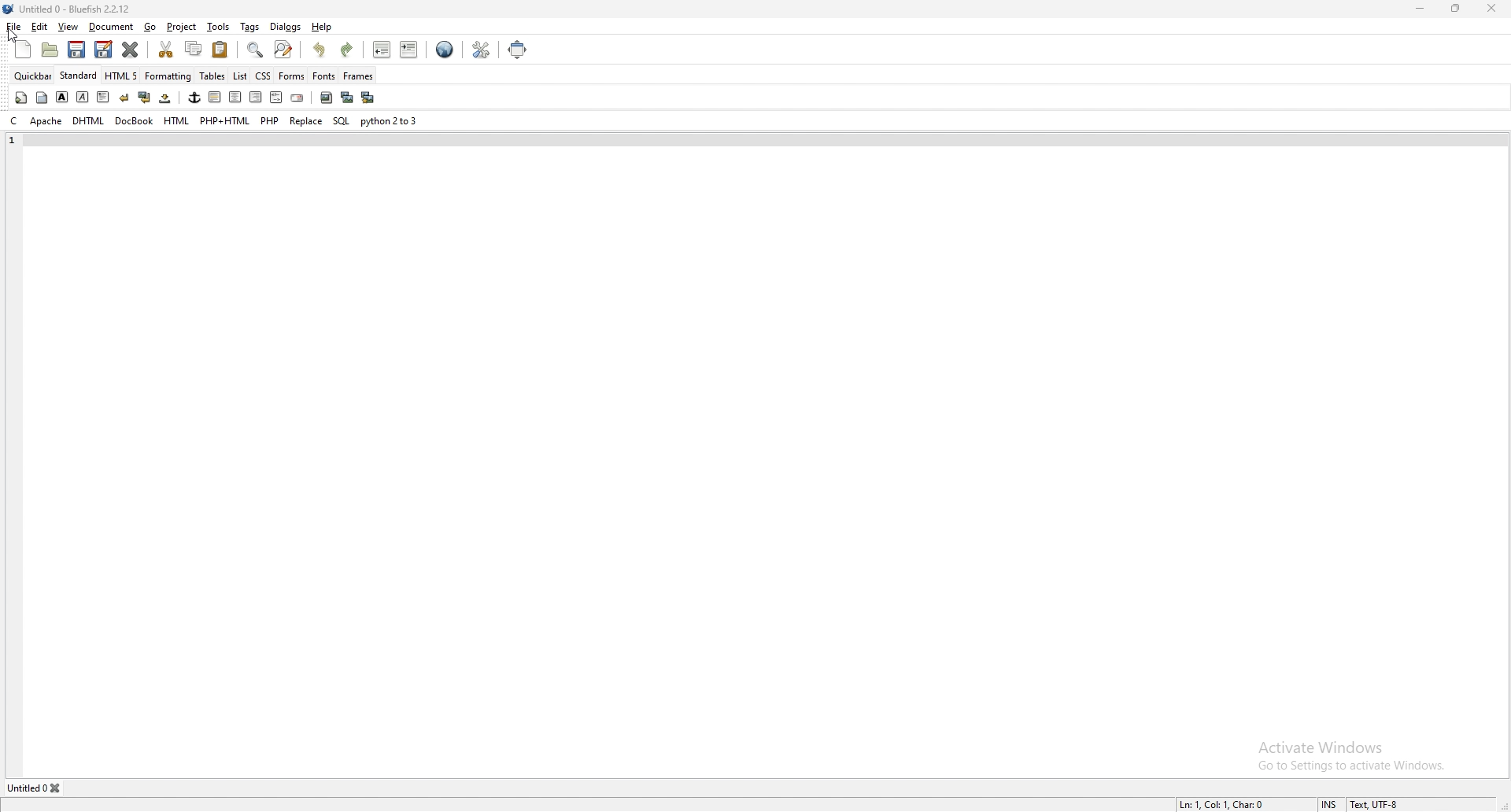 This screenshot has height=812, width=1511. I want to click on Ln: 1, Col: 1, Char: 0, so click(1225, 804).